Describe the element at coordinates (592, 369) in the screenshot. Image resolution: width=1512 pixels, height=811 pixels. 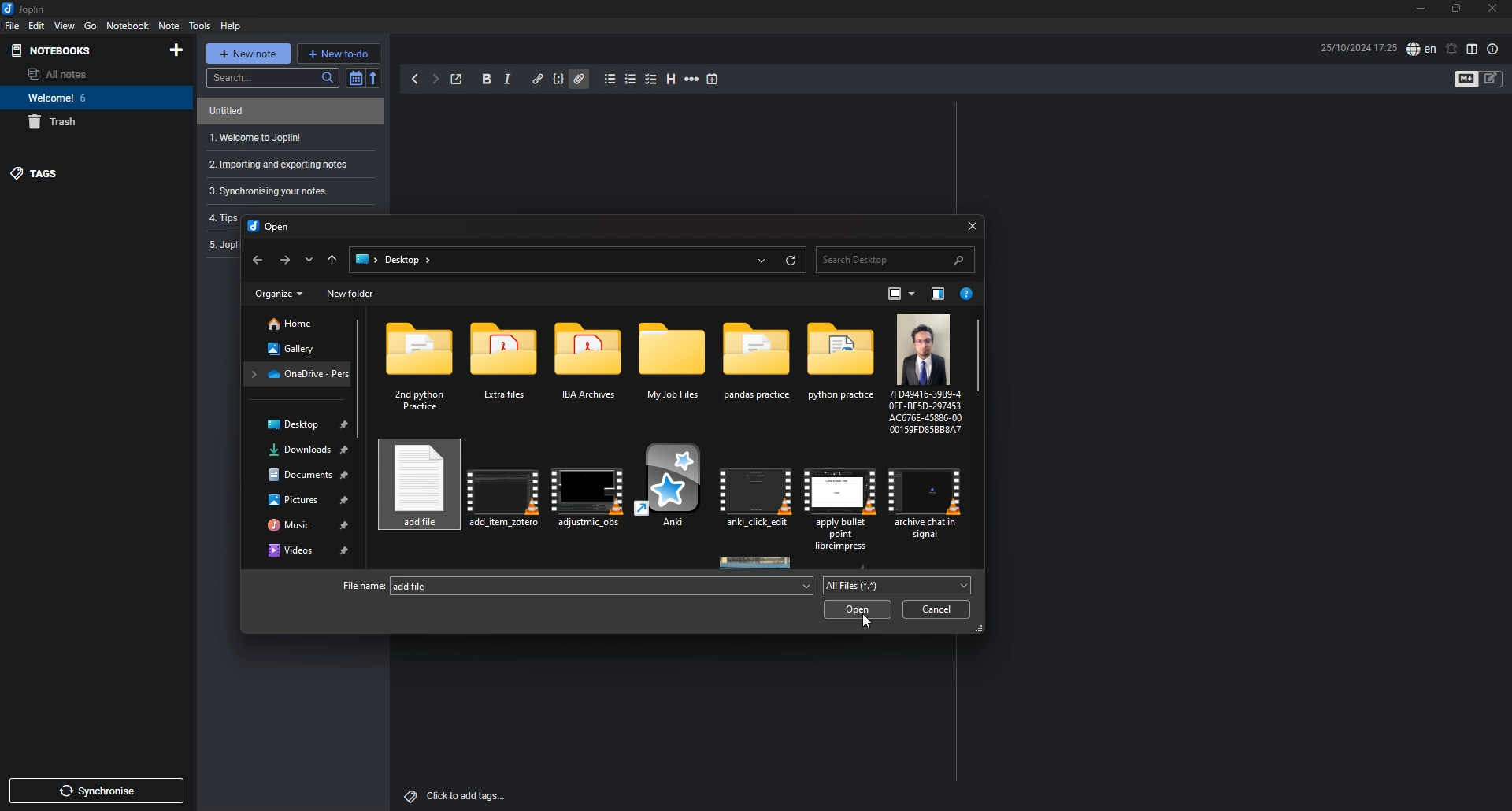
I see `folder` at that location.